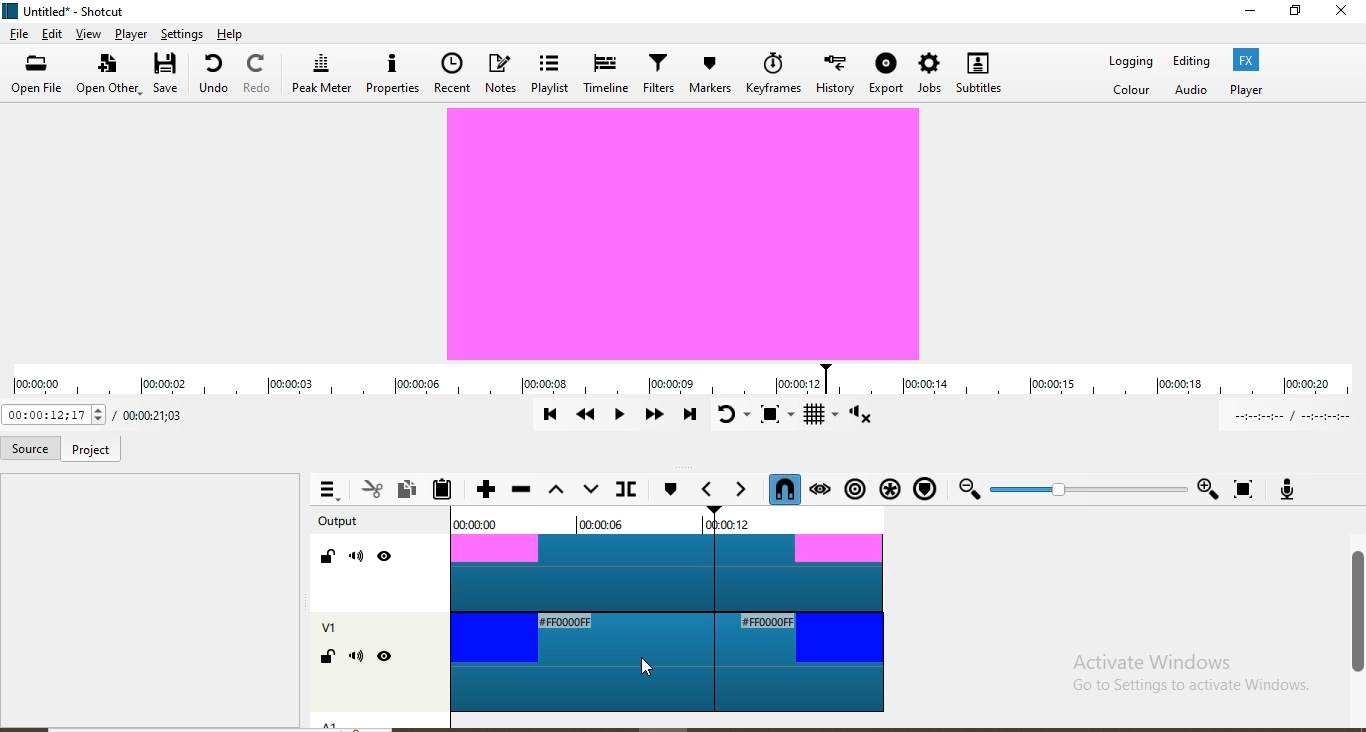 This screenshot has height=732, width=1366. Describe the element at coordinates (929, 76) in the screenshot. I see `Jobs` at that location.